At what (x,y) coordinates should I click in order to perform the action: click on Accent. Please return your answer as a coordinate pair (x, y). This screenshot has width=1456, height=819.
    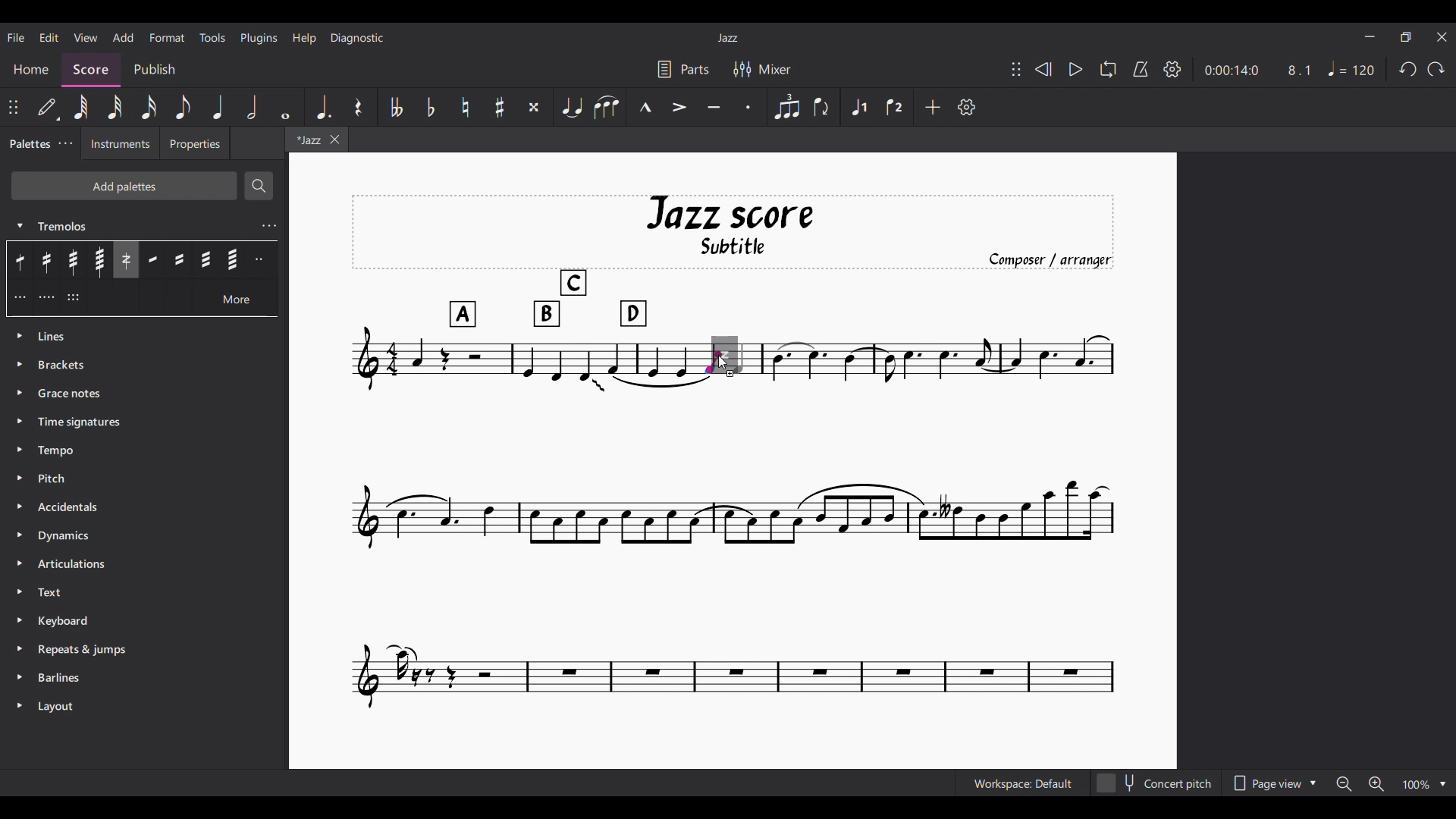
    Looking at the image, I should click on (679, 107).